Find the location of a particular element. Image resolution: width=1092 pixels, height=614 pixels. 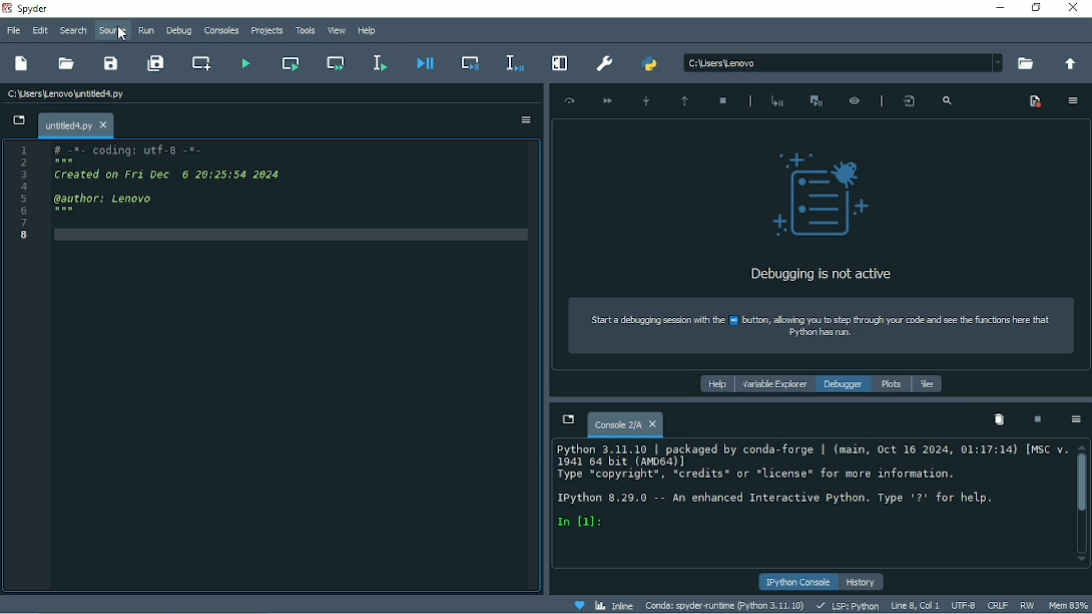

Debug is located at coordinates (178, 31).